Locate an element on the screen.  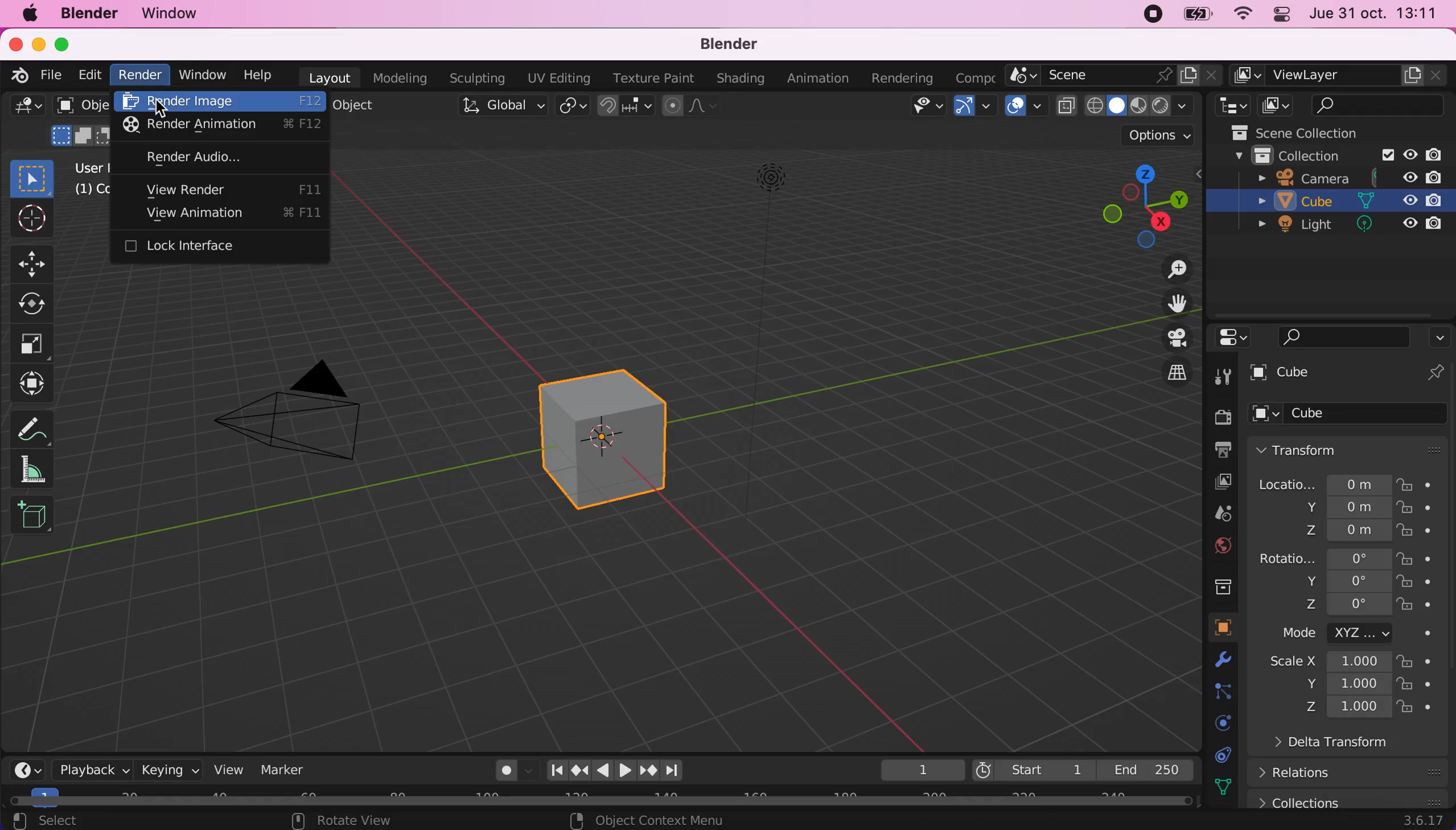
texture is located at coordinates (1229, 787).